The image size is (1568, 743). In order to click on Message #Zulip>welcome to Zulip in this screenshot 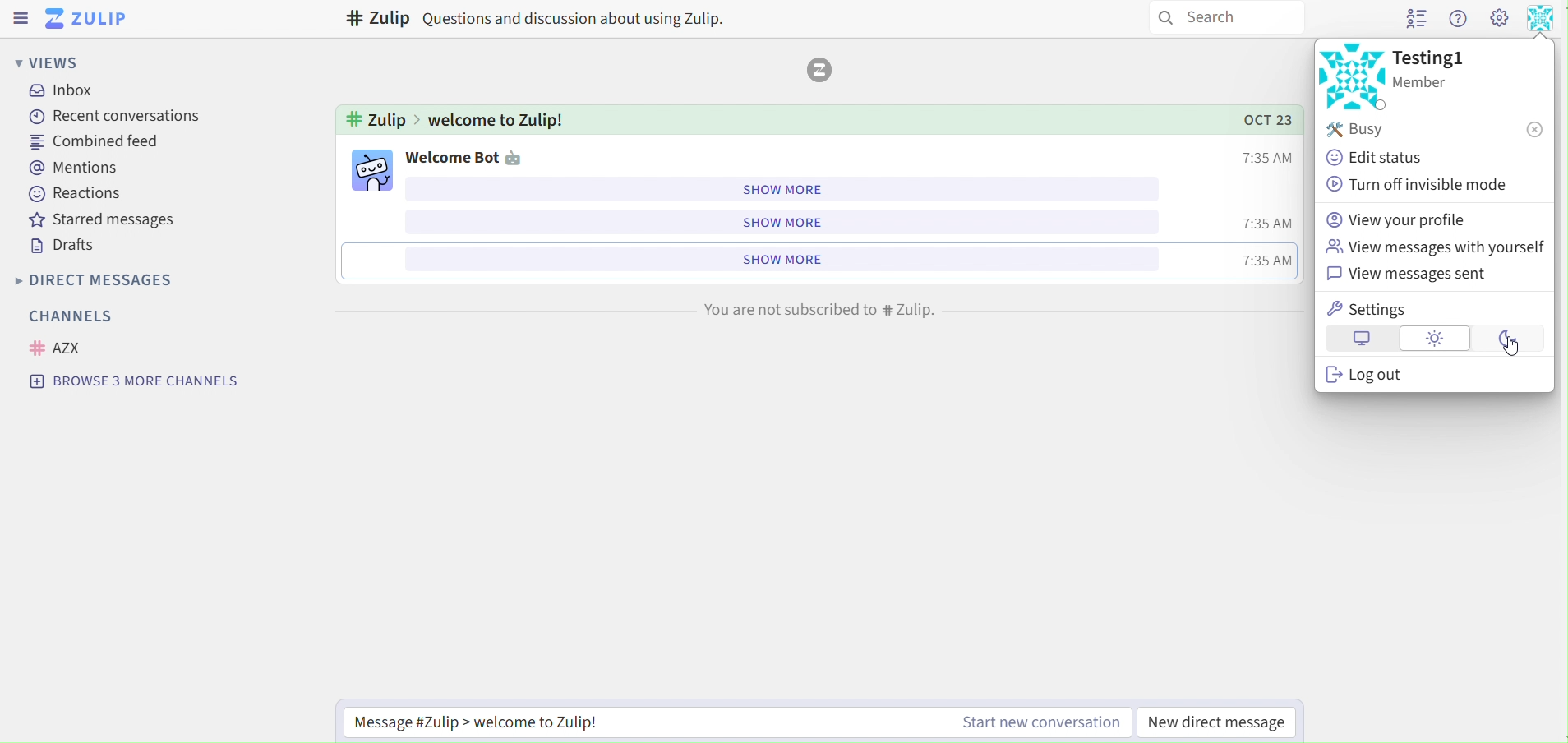, I will do `click(536, 722)`.